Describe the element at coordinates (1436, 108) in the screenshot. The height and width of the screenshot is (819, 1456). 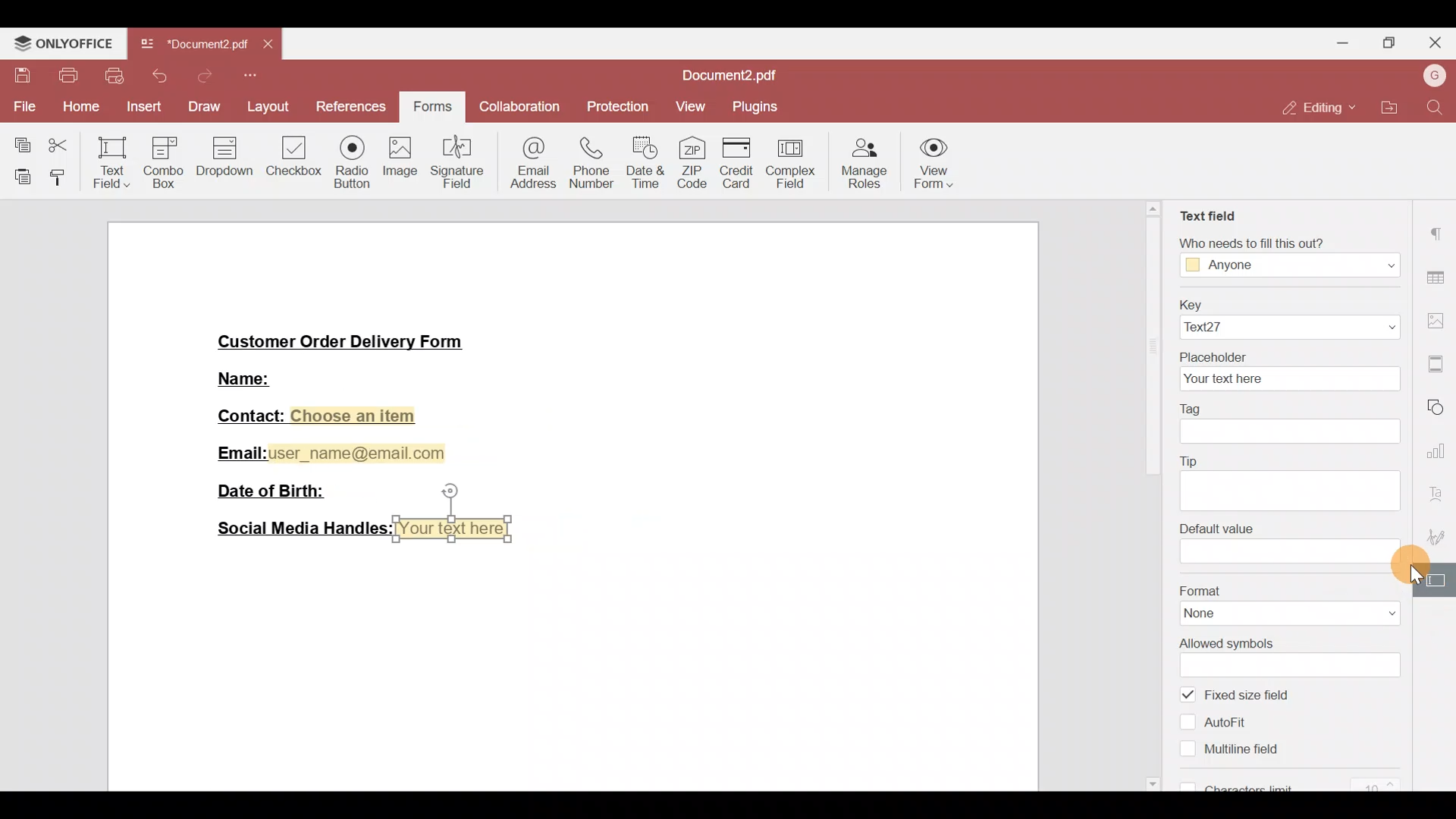
I see `Find` at that location.